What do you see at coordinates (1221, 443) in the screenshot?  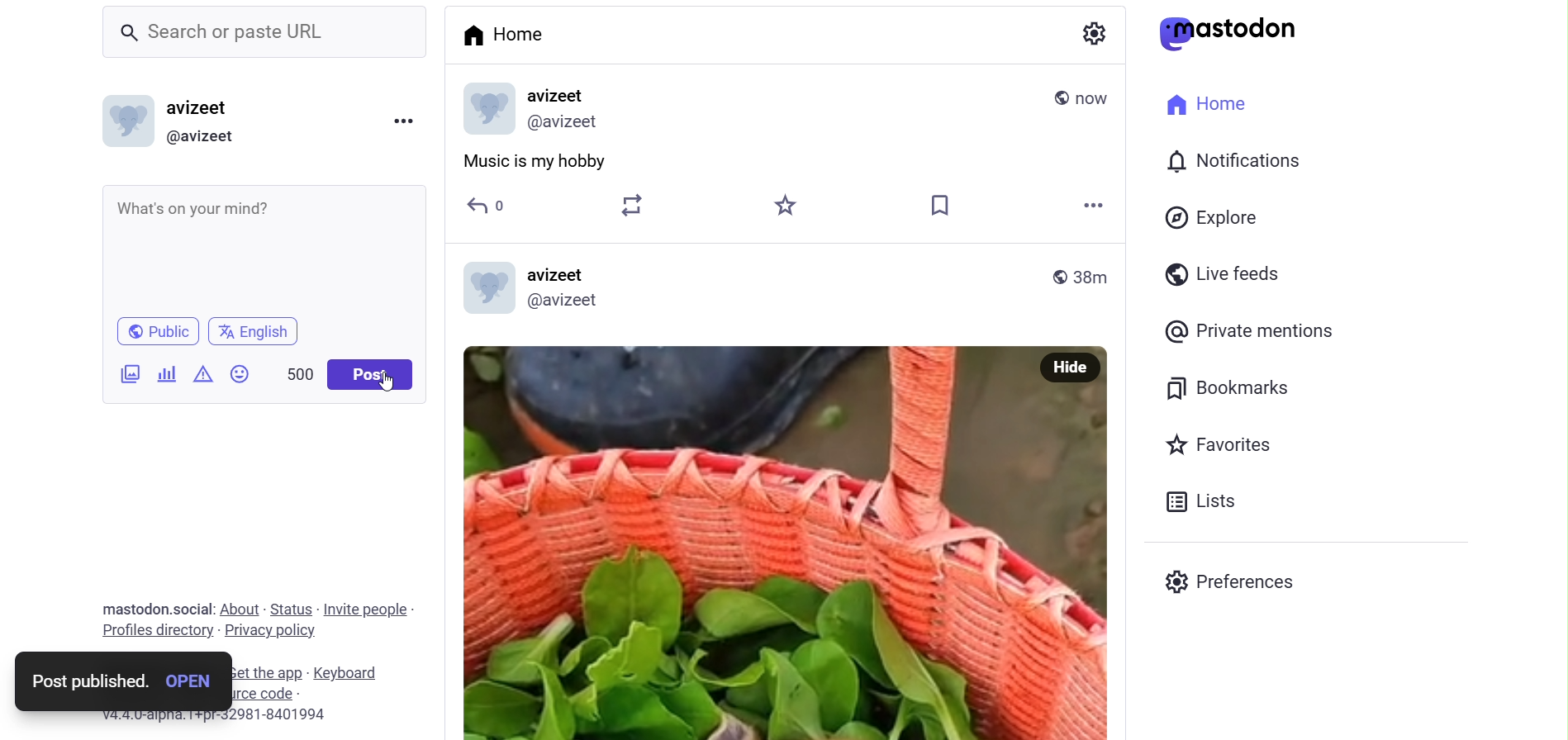 I see `Favorites` at bounding box center [1221, 443].